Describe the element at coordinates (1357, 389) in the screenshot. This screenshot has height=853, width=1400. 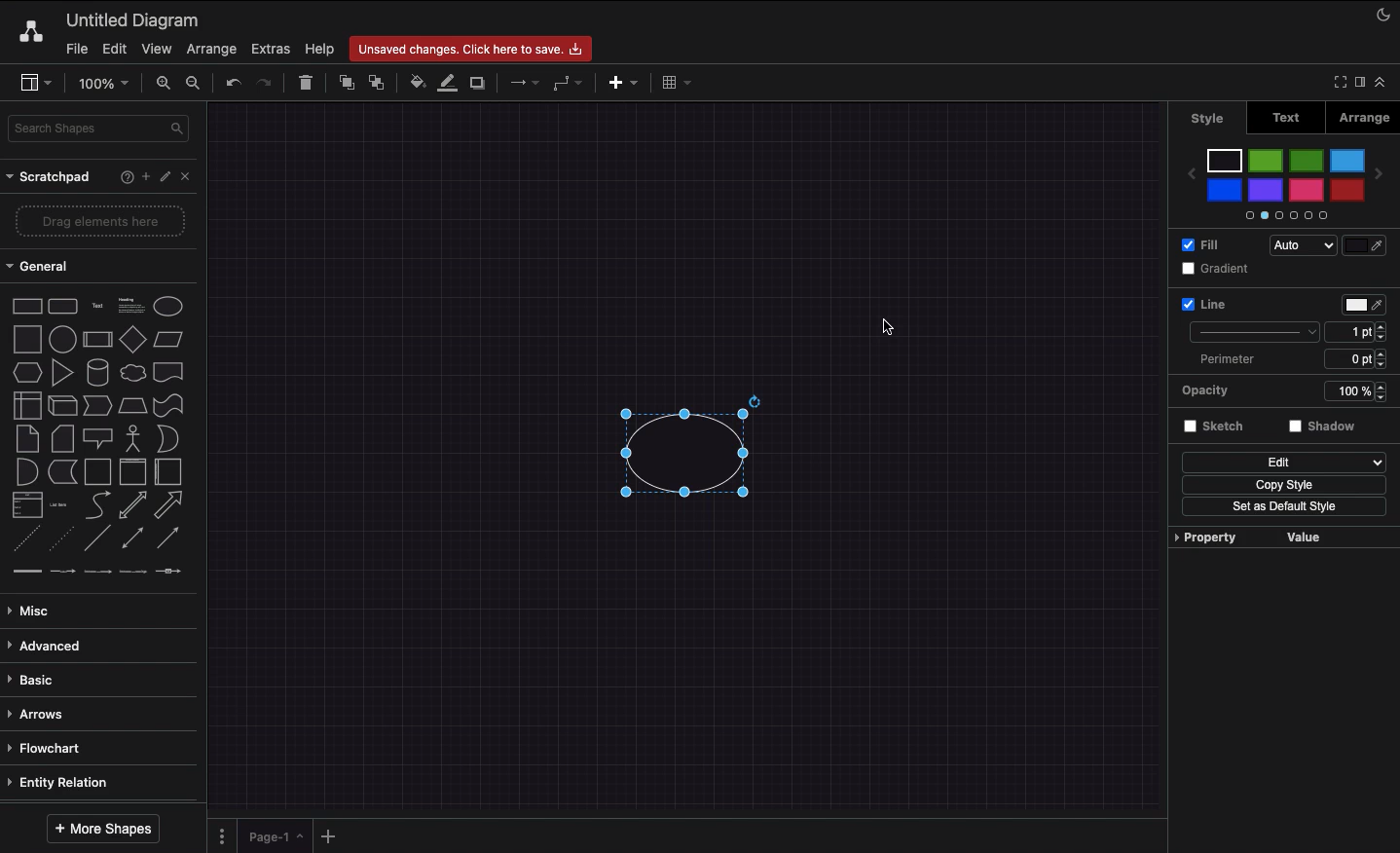
I see `100%` at that location.